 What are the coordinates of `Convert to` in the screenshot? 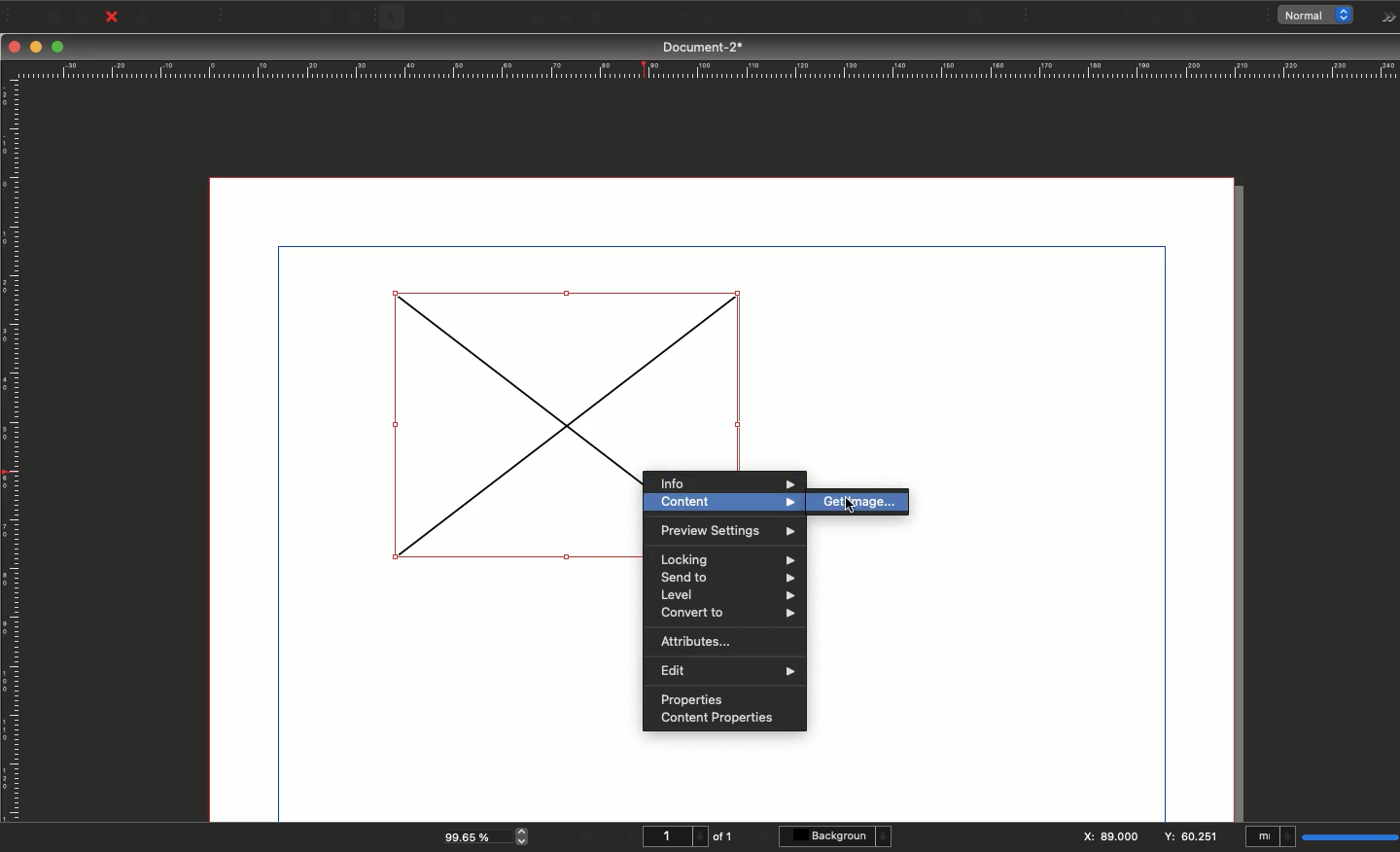 It's located at (725, 613).